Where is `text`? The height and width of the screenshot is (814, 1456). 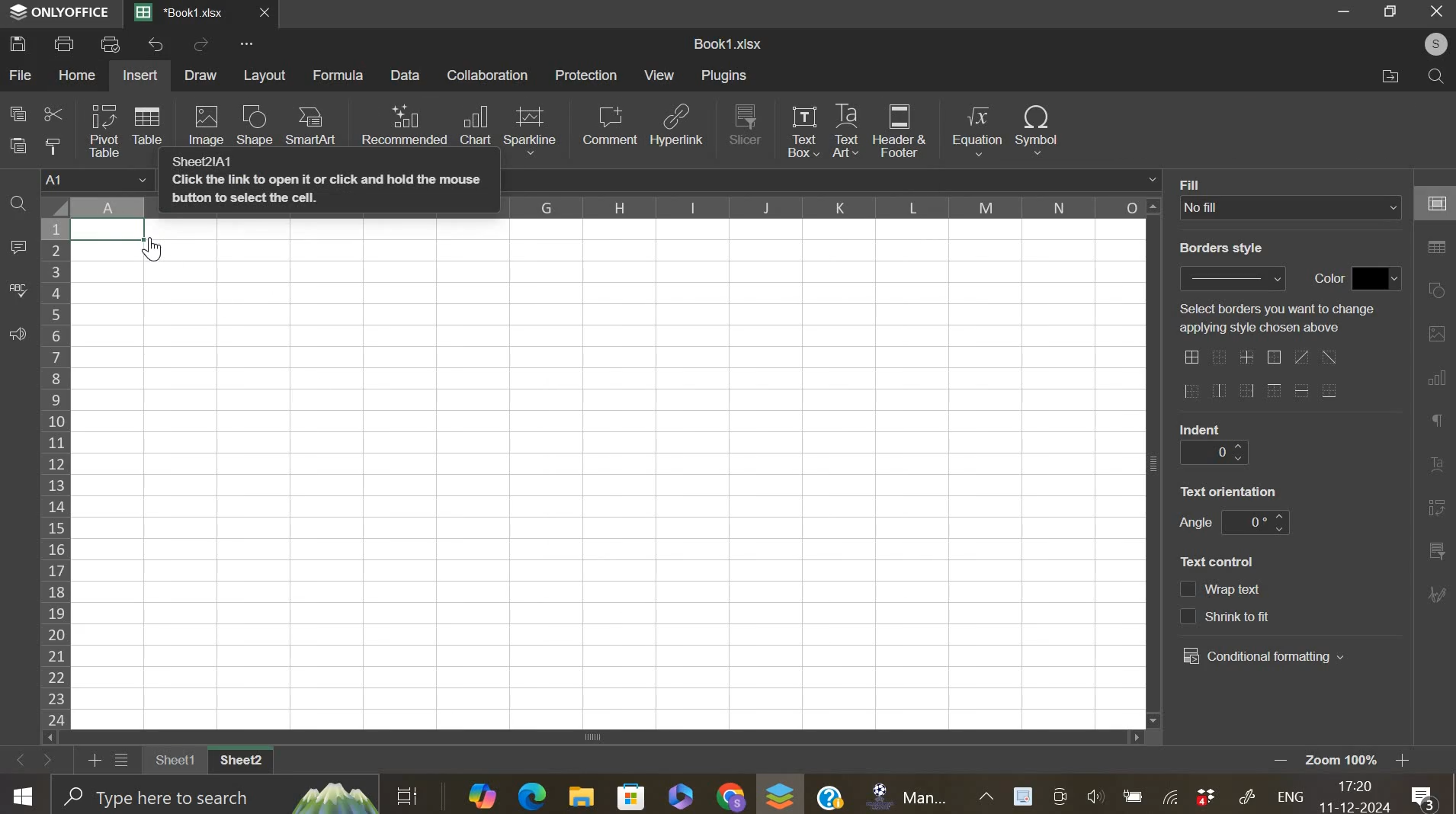
text is located at coordinates (1217, 562).